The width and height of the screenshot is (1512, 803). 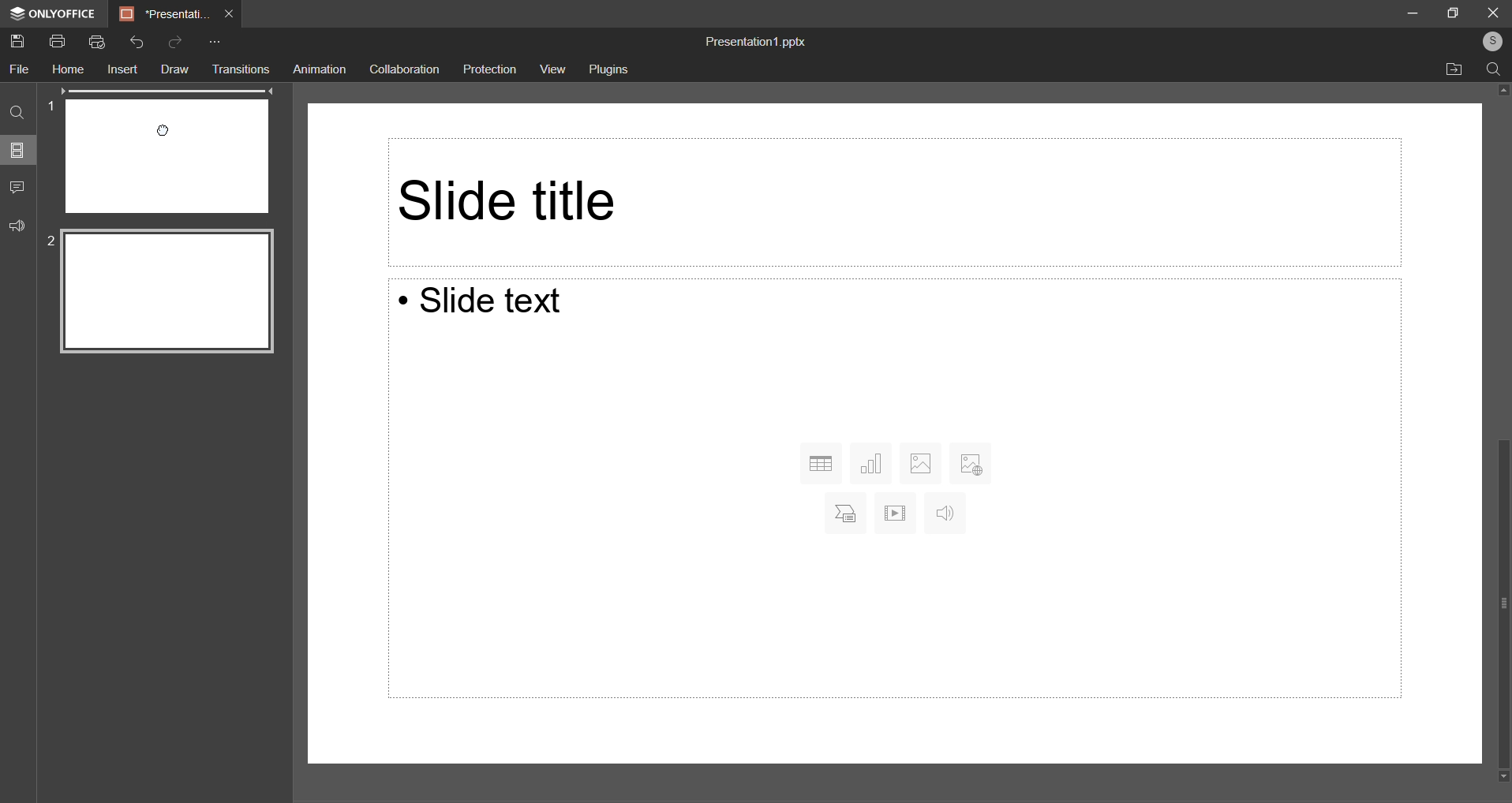 I want to click on Slide text, so click(x=494, y=304).